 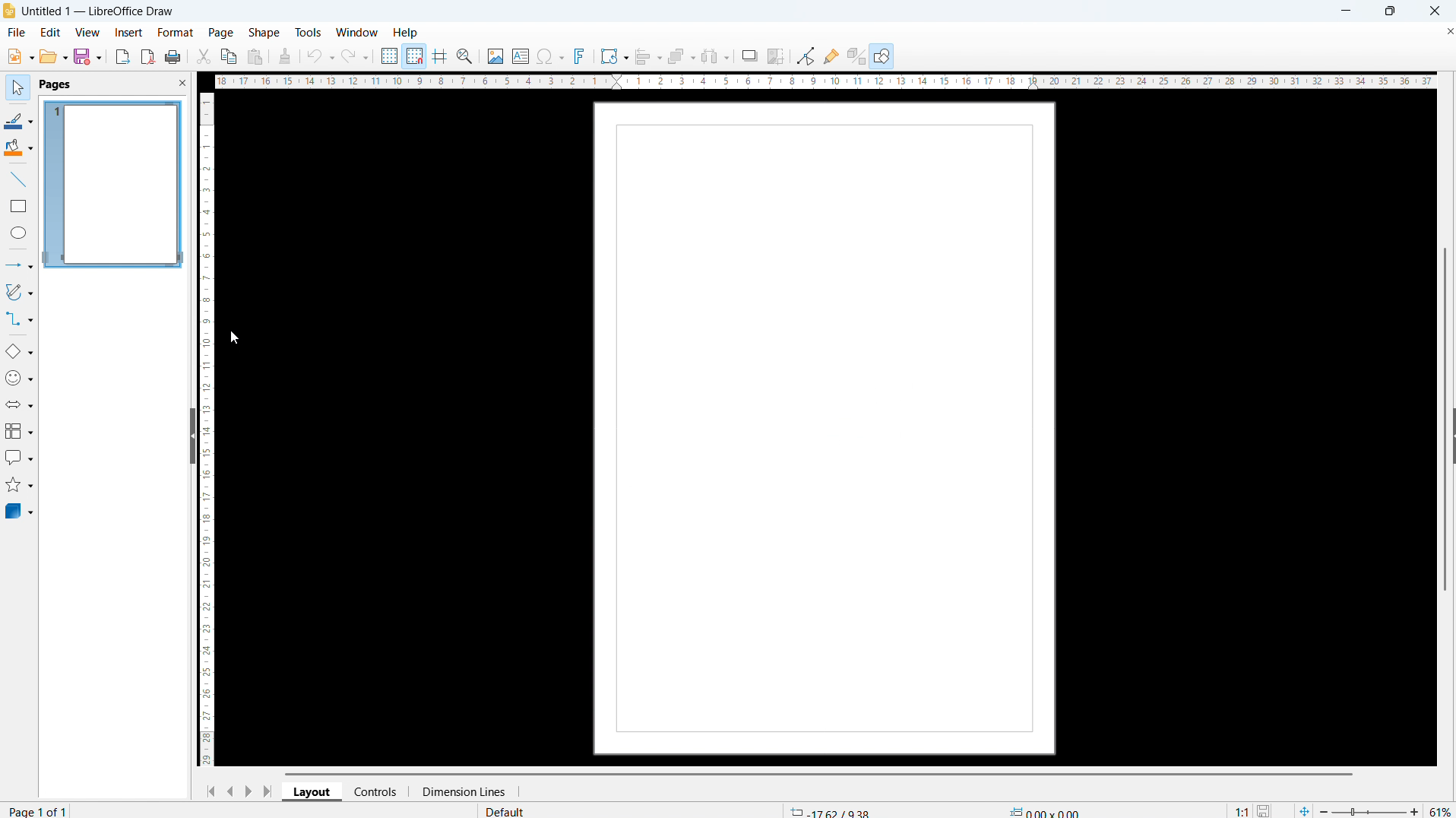 What do you see at coordinates (19, 266) in the screenshot?
I see `lines and arrows` at bounding box center [19, 266].